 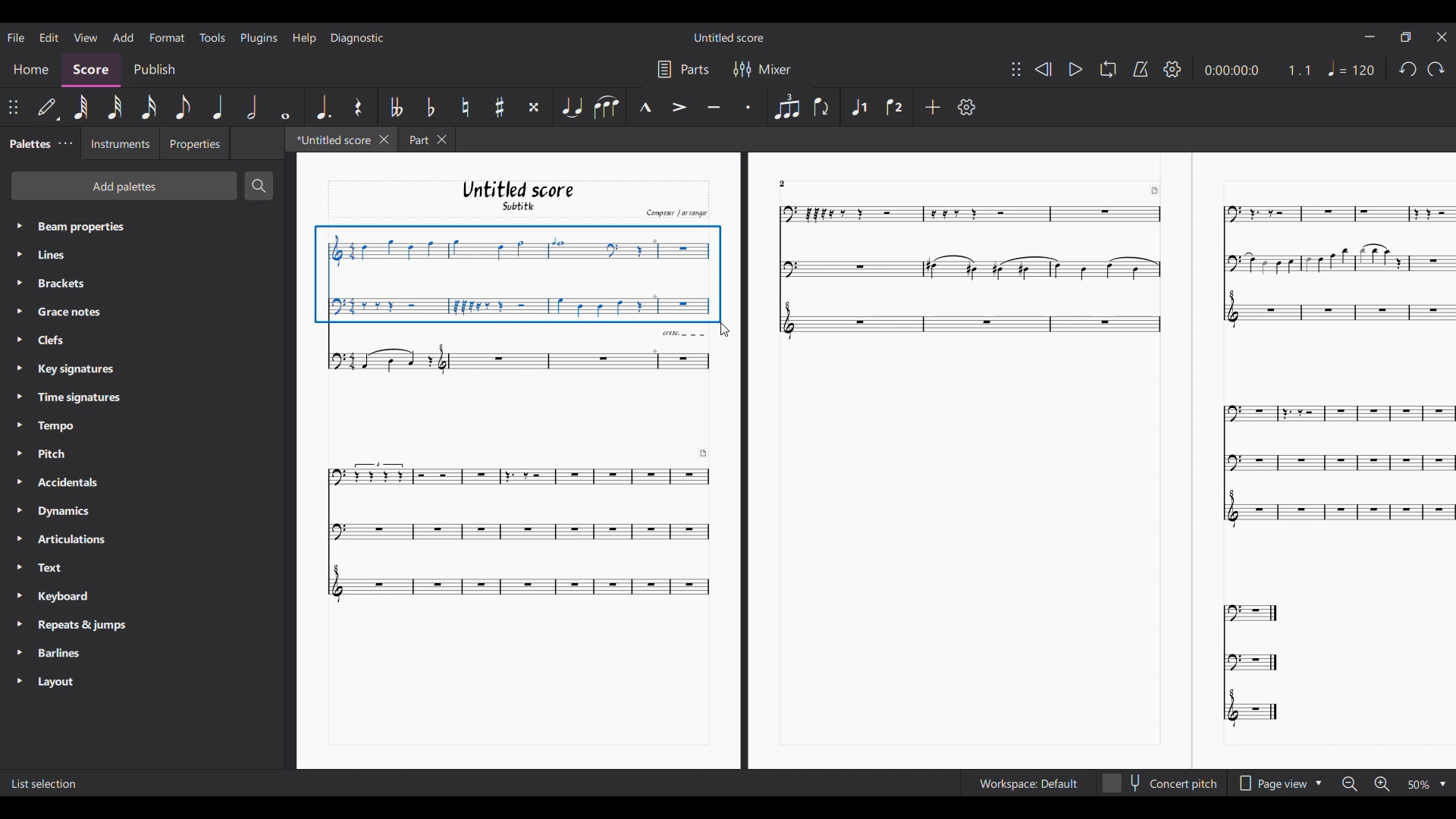 I want to click on , so click(x=16, y=485).